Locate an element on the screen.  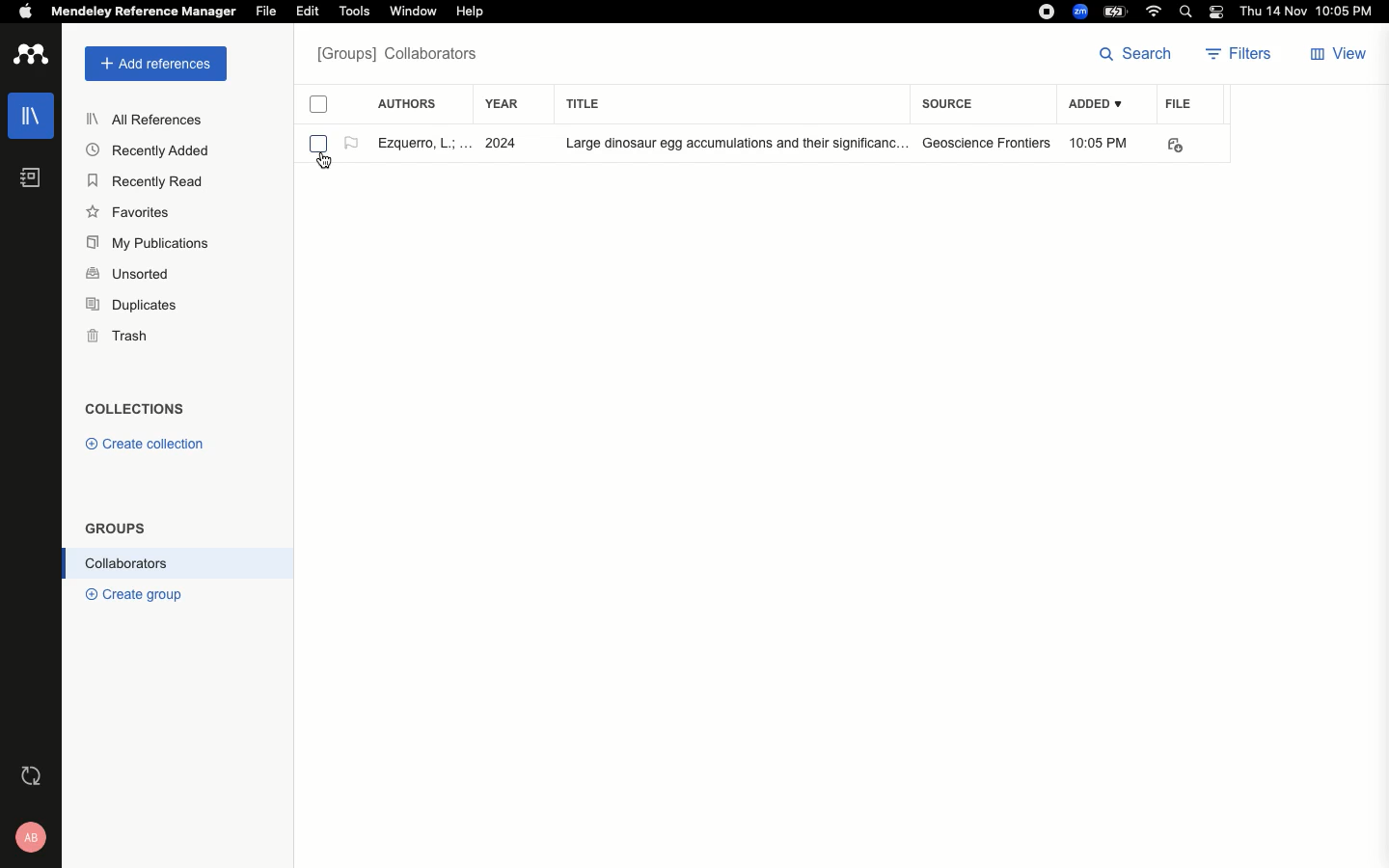
Charge is located at coordinates (1118, 11).